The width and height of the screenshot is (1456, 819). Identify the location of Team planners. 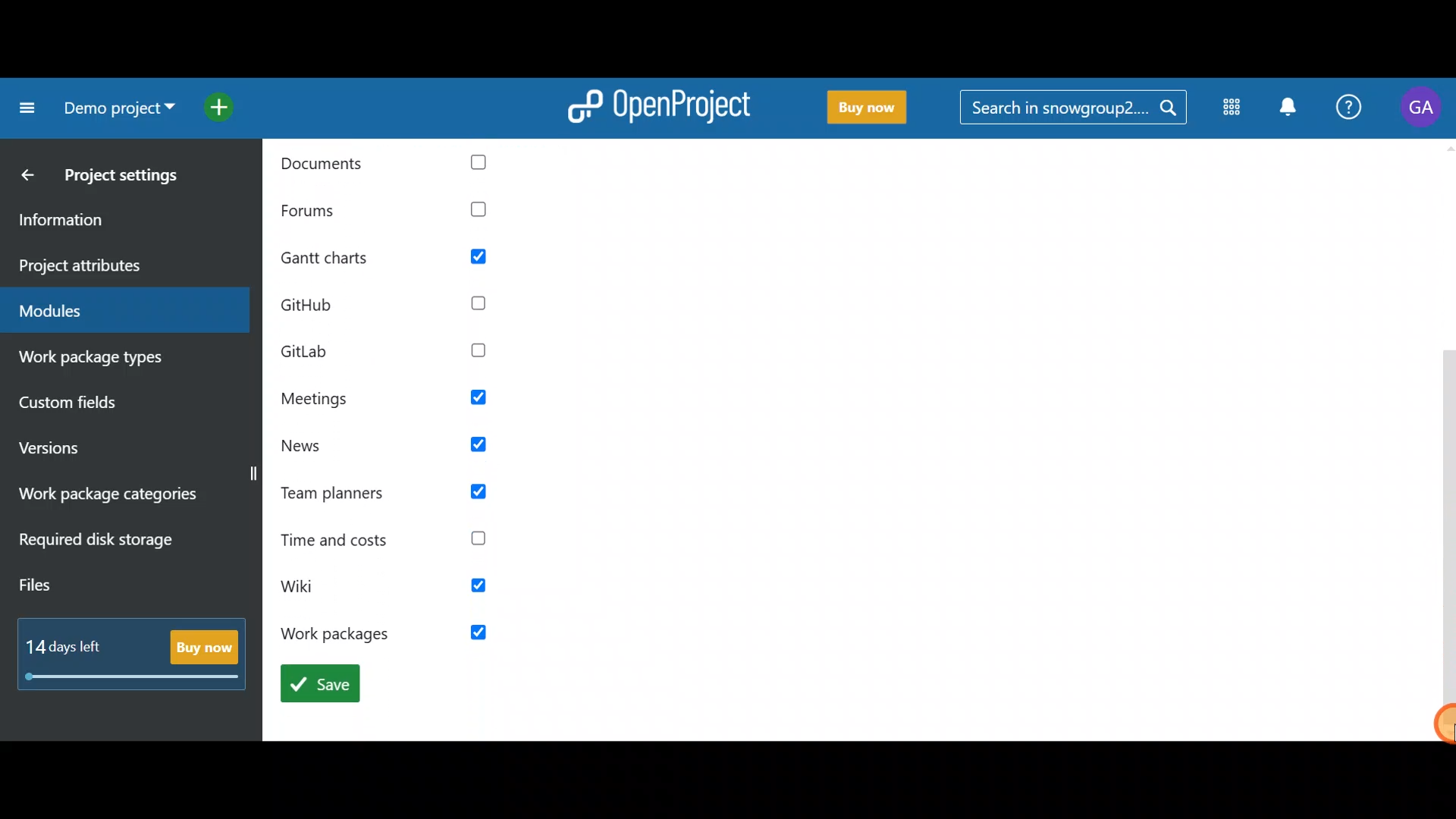
(390, 493).